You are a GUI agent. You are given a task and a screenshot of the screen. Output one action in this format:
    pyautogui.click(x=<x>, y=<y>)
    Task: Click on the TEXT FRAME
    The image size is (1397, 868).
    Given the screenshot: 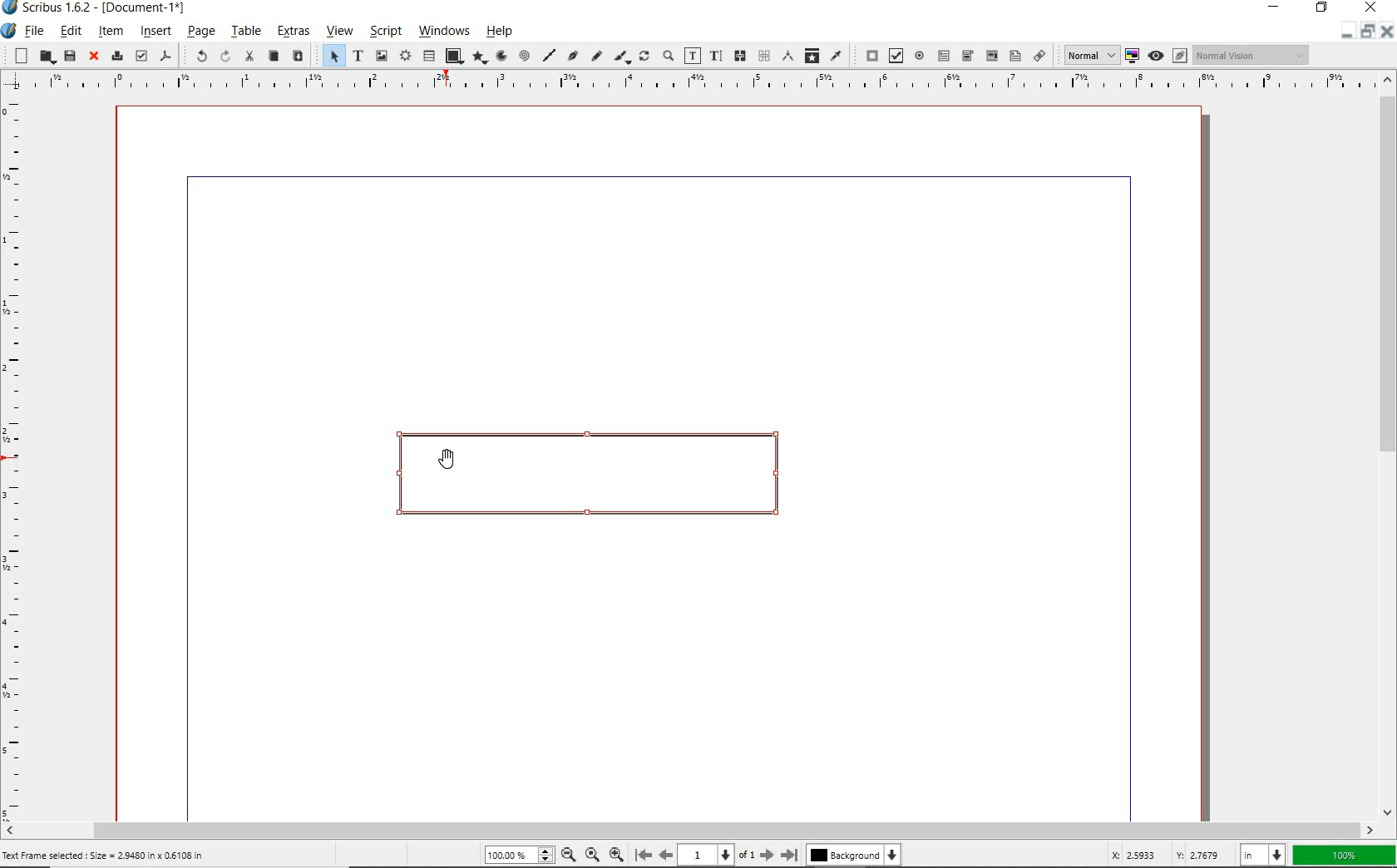 What is the action you would take?
    pyautogui.click(x=585, y=474)
    